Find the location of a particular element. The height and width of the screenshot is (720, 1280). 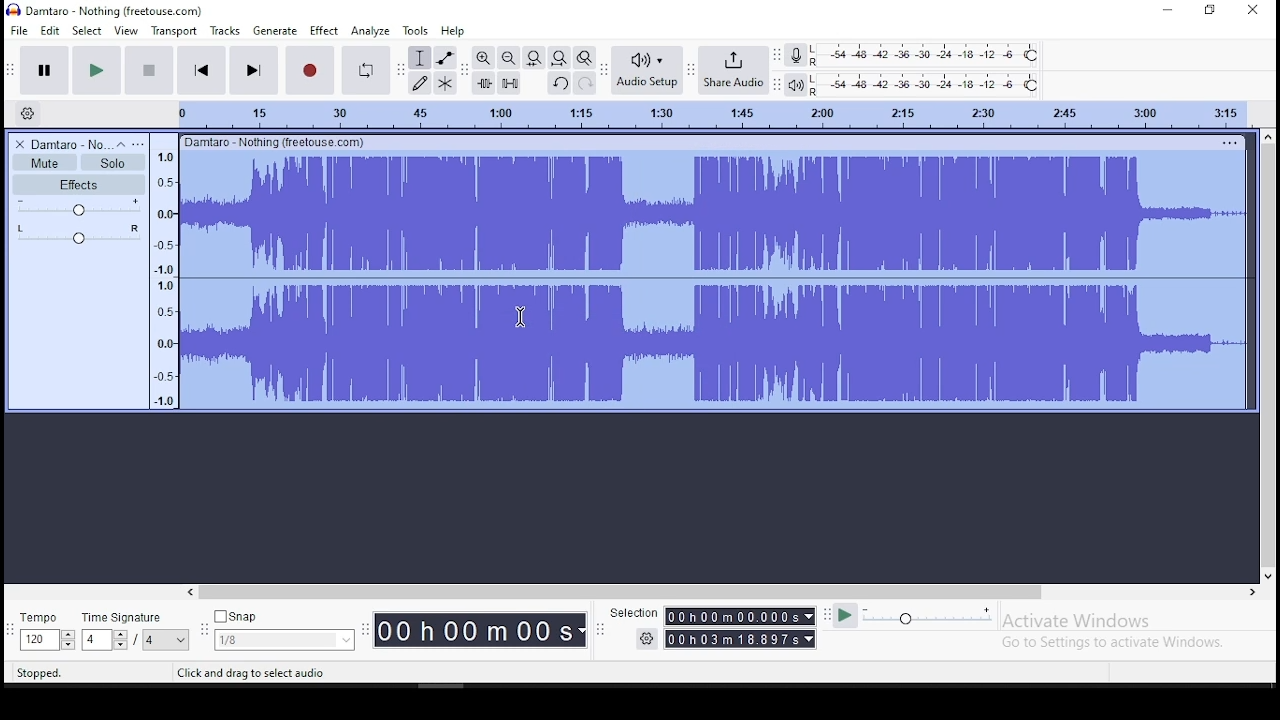

zoom out is located at coordinates (509, 57).